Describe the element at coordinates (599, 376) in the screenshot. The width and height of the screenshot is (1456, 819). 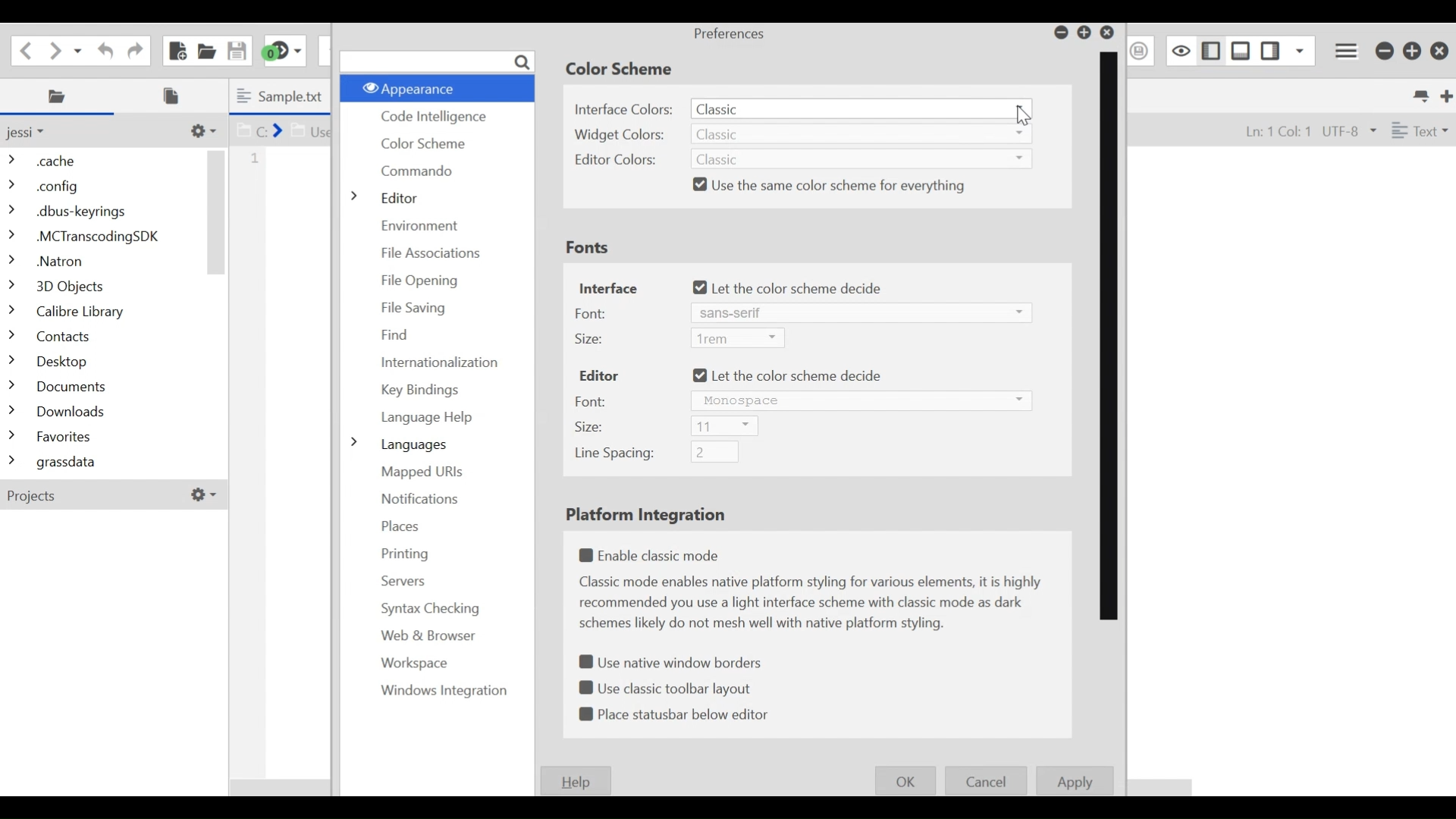
I see `Editor` at that location.